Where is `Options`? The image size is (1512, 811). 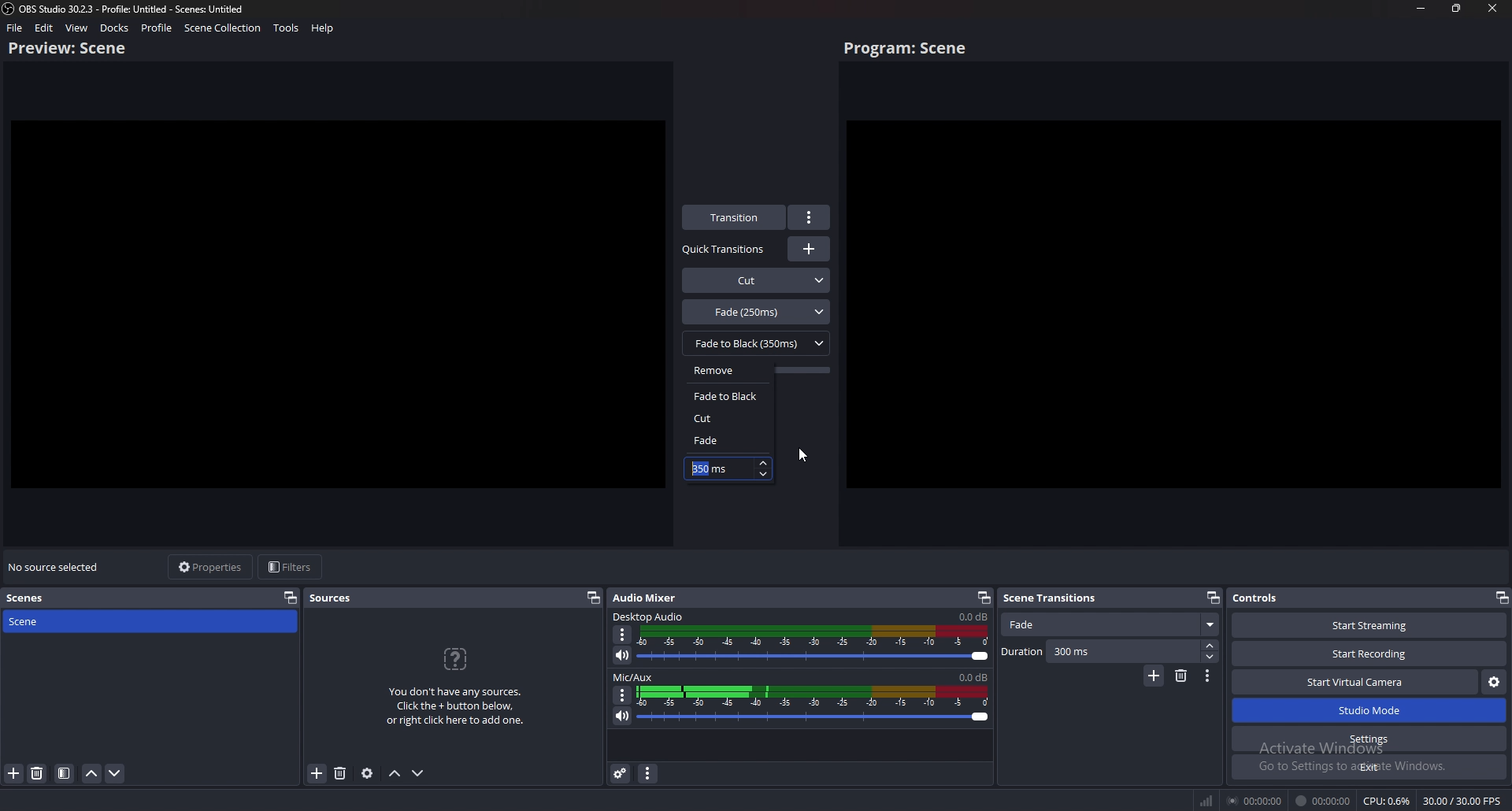
Options is located at coordinates (621, 694).